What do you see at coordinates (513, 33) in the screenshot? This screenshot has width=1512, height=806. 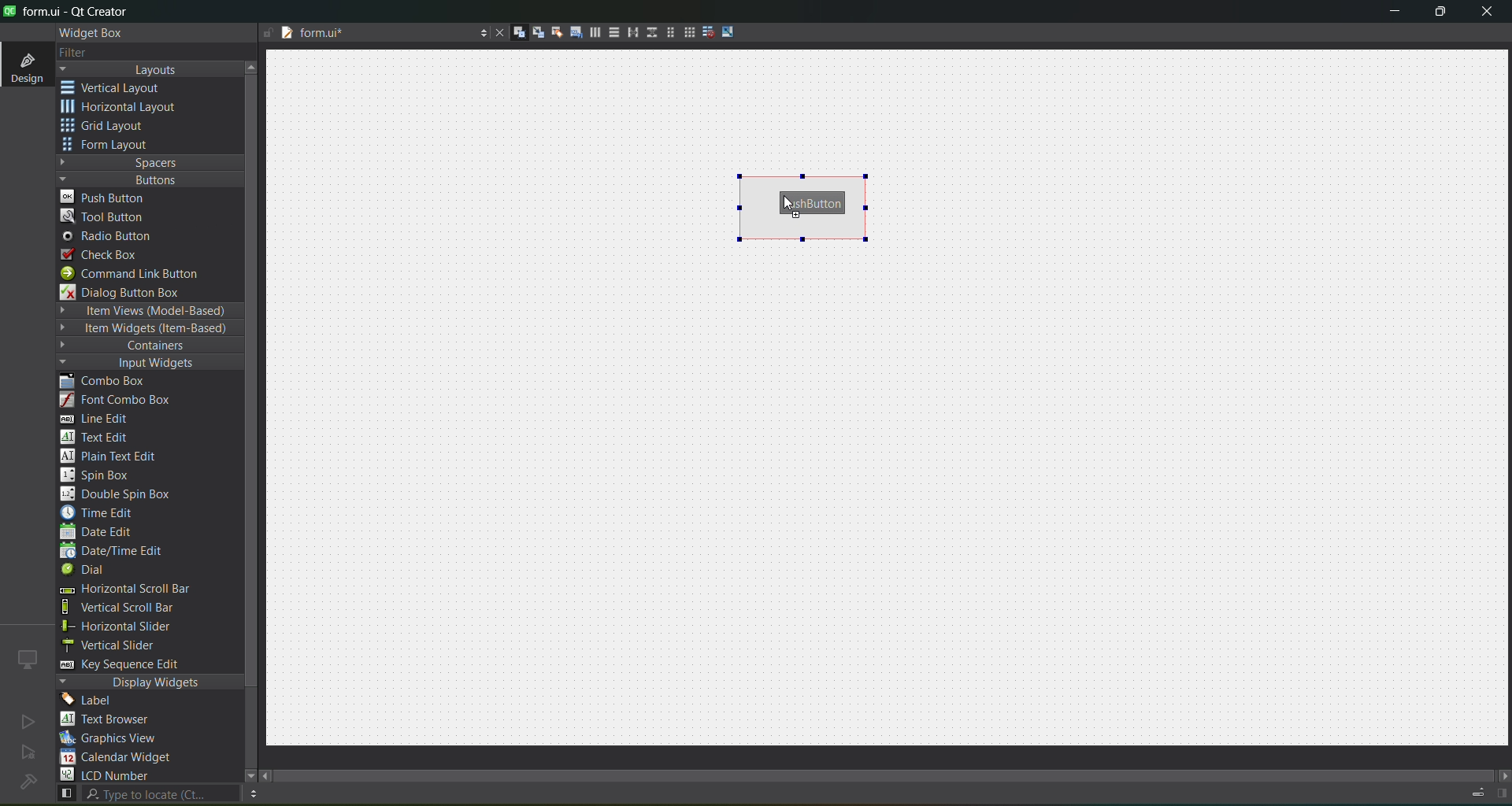 I see `edit widgets` at bounding box center [513, 33].